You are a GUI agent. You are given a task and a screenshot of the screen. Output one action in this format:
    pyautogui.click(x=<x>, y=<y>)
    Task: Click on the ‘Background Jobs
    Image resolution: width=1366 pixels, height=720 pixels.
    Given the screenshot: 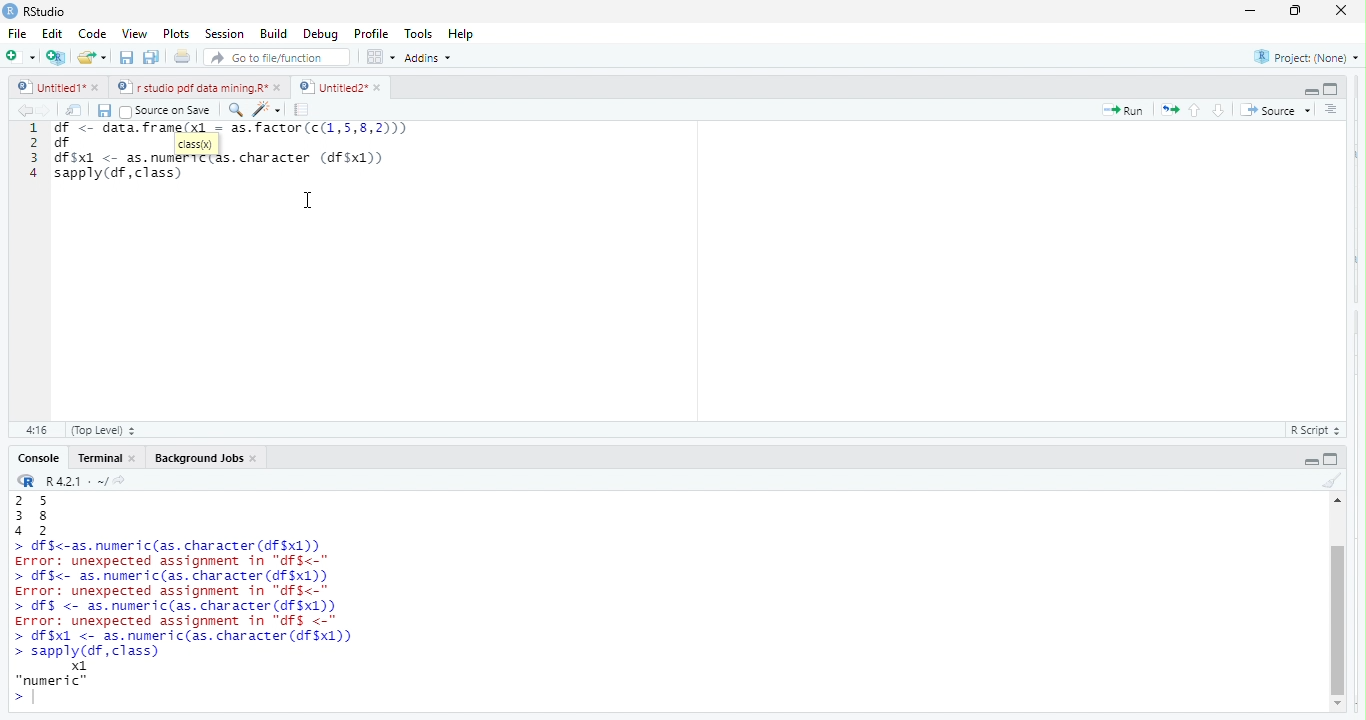 What is the action you would take?
    pyautogui.click(x=198, y=459)
    